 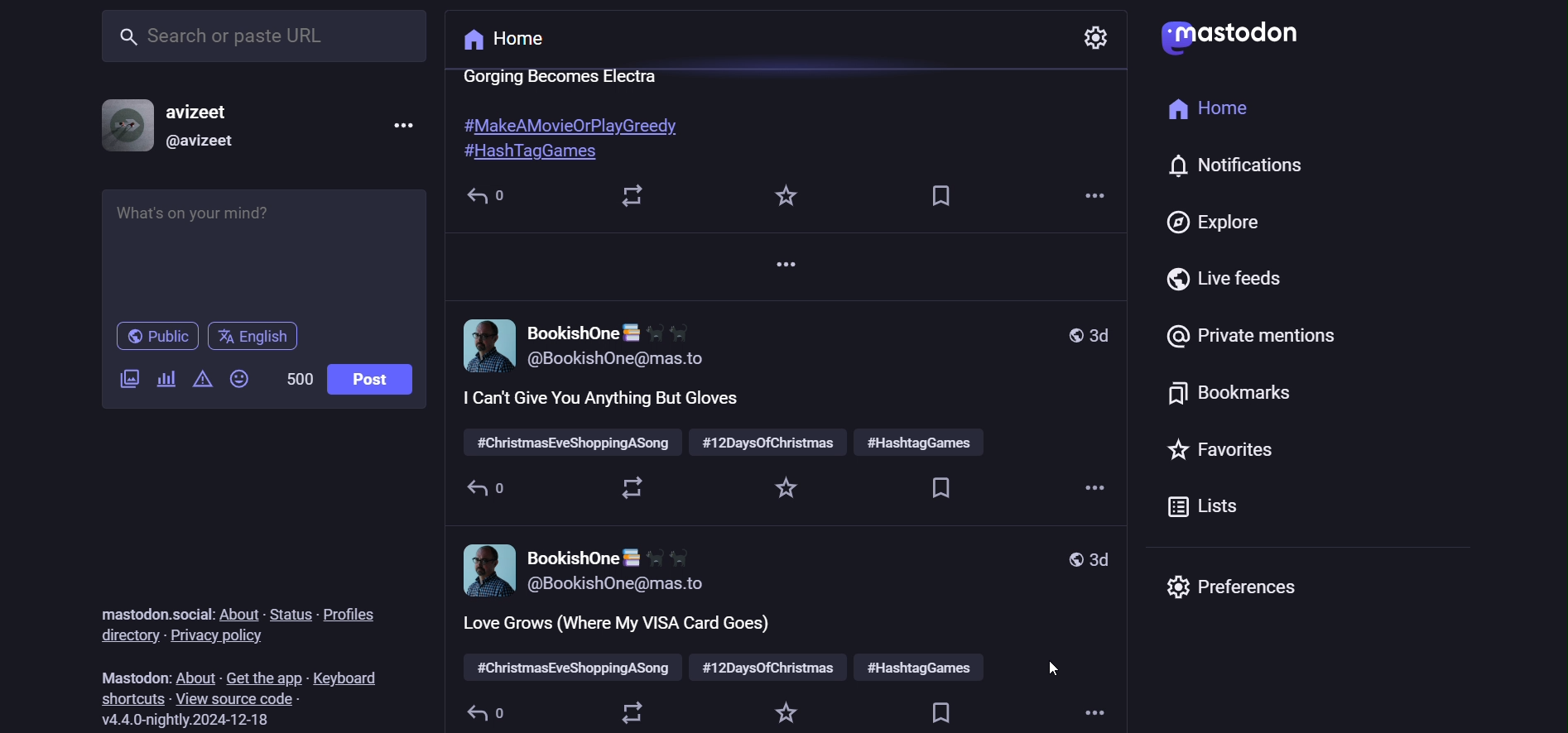 I want to click on word limit, so click(x=297, y=378).